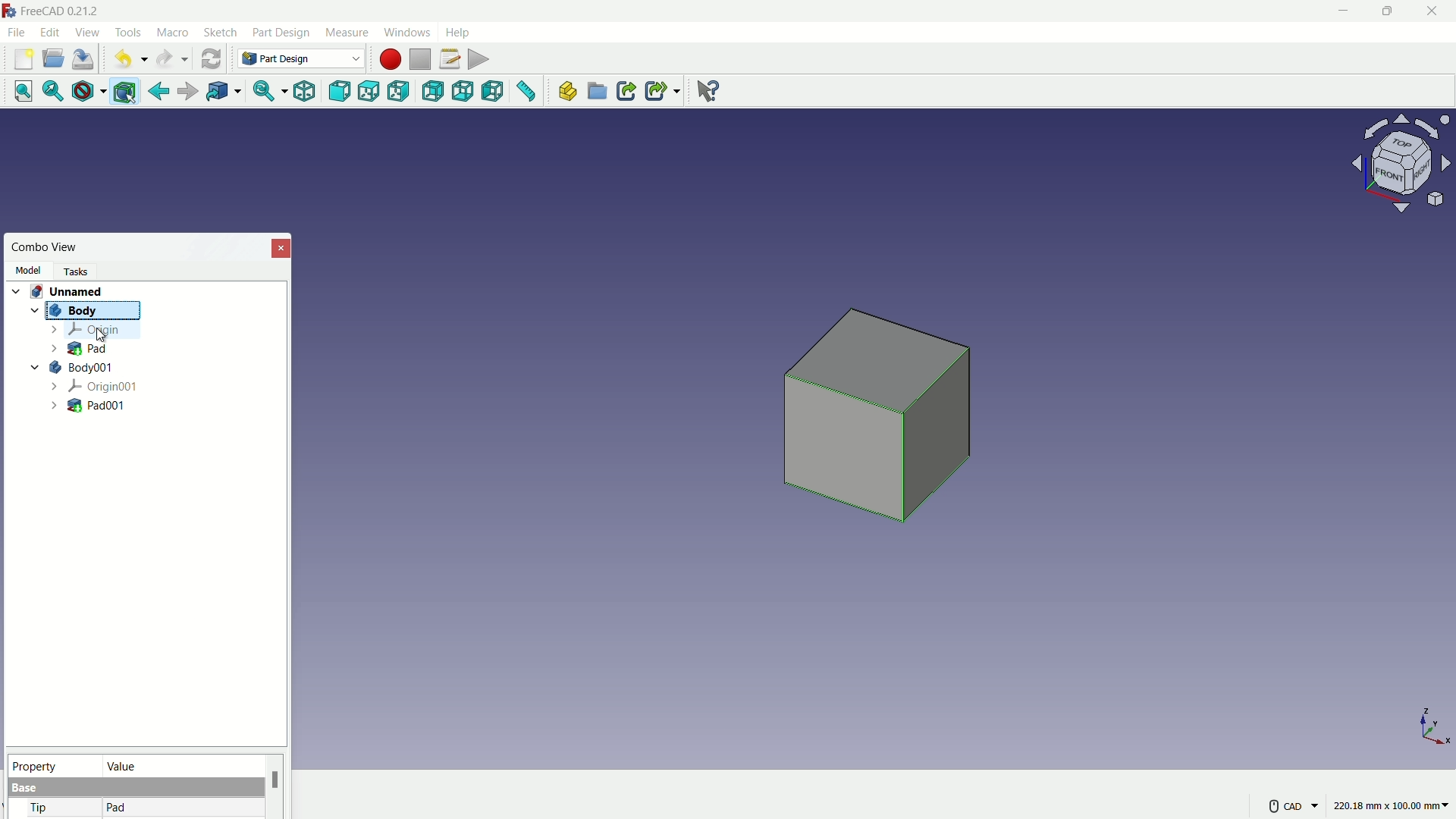  I want to click on sync view, so click(263, 93).